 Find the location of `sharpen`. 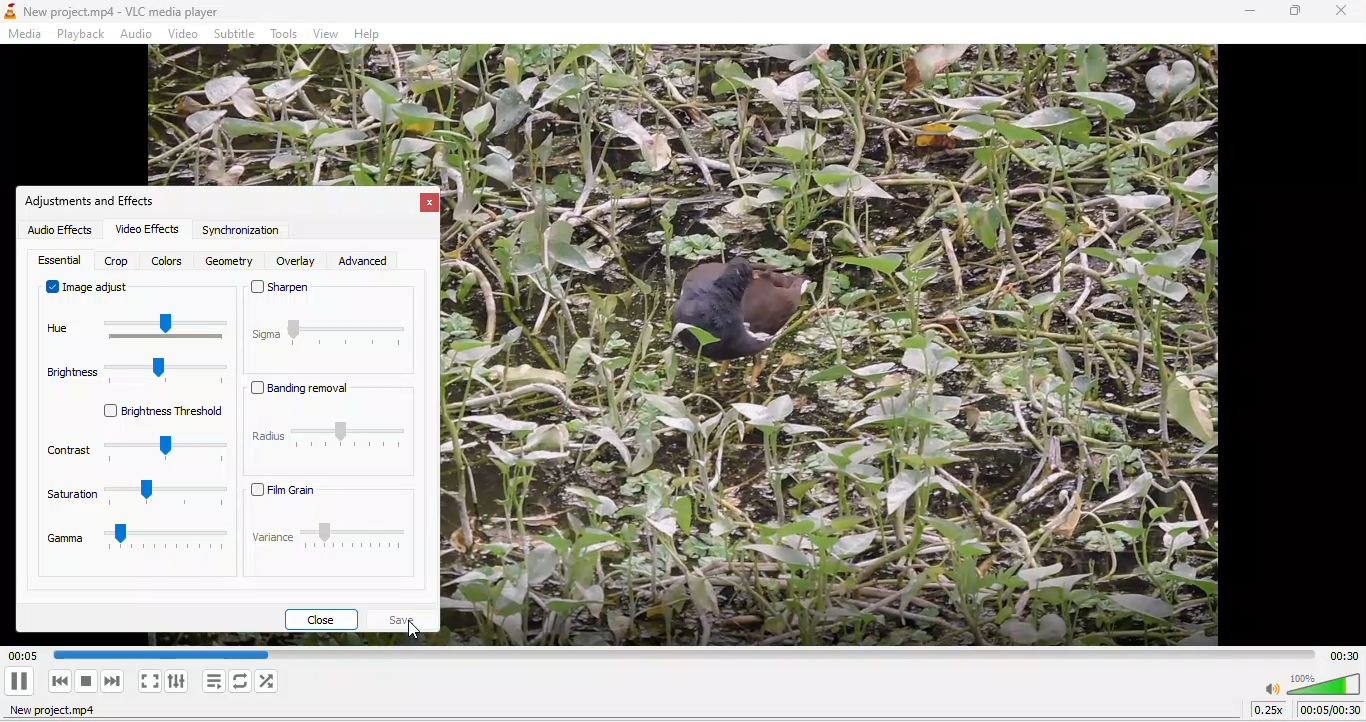

sharpen is located at coordinates (332, 298).